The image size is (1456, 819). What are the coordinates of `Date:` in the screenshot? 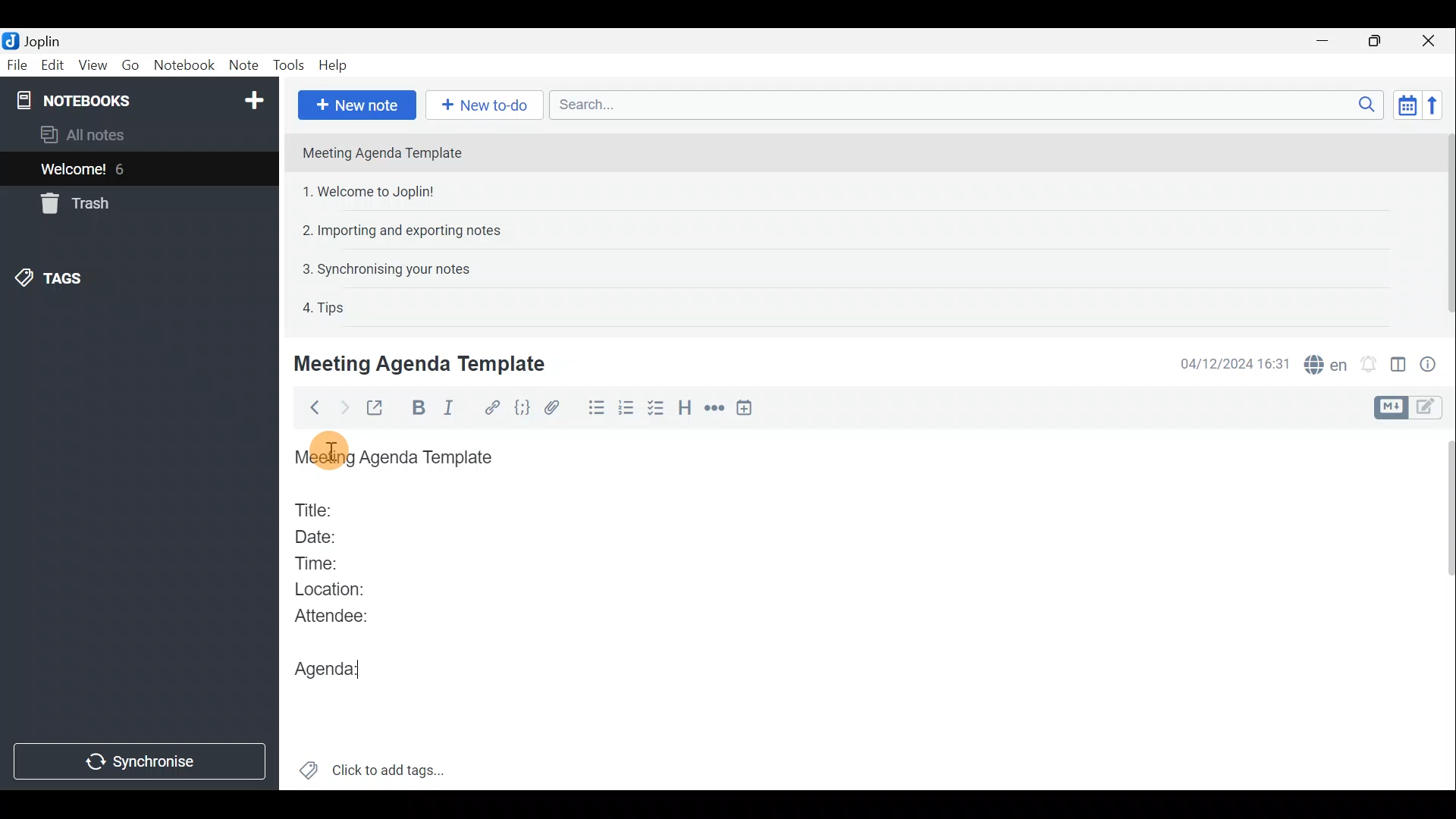 It's located at (328, 535).